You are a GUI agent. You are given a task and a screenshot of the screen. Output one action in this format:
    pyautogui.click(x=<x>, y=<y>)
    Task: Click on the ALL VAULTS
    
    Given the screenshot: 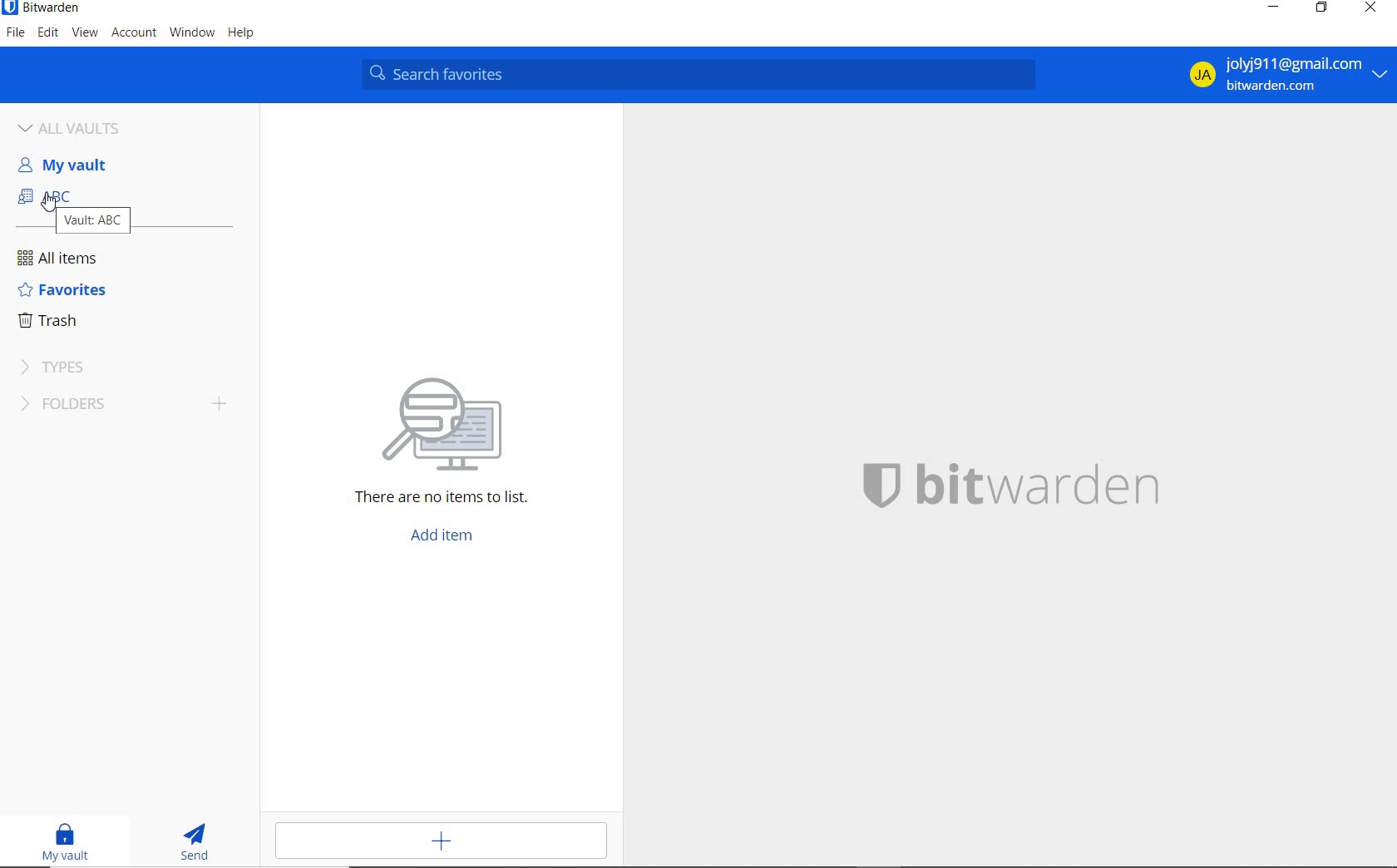 What is the action you would take?
    pyautogui.click(x=83, y=126)
    